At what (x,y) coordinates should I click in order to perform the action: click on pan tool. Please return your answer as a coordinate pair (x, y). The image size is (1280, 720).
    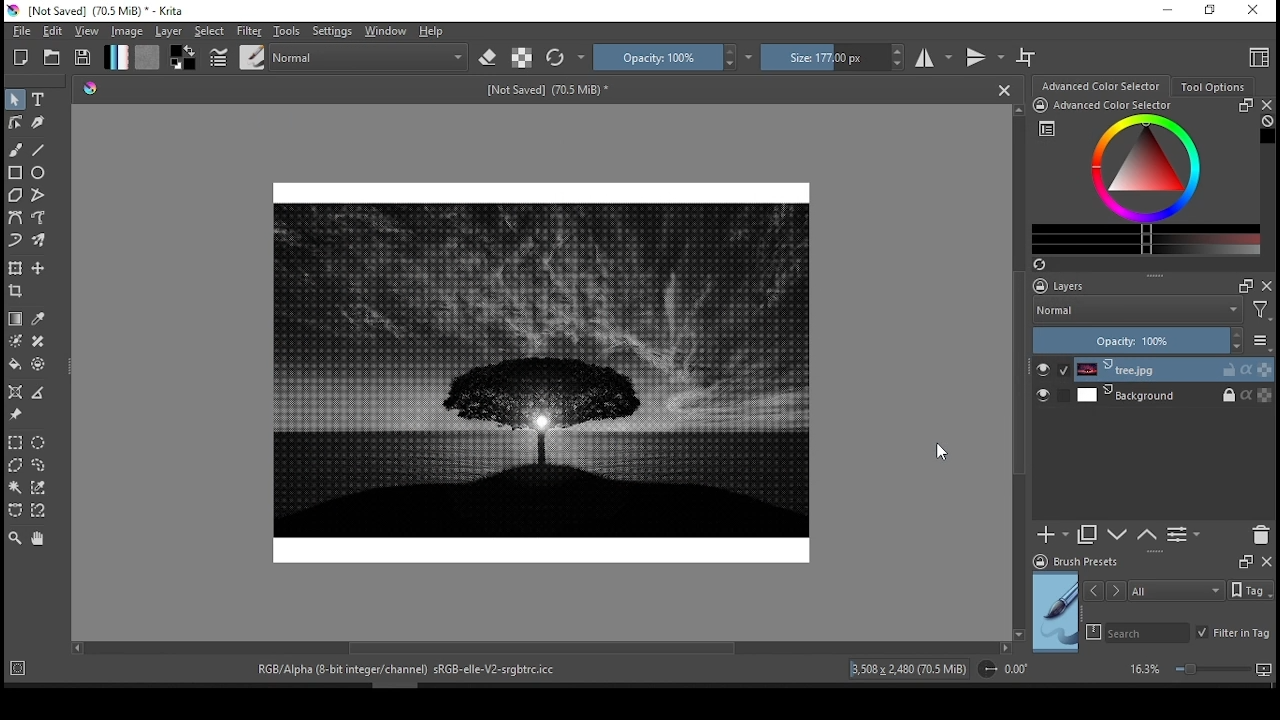
    Looking at the image, I should click on (38, 538).